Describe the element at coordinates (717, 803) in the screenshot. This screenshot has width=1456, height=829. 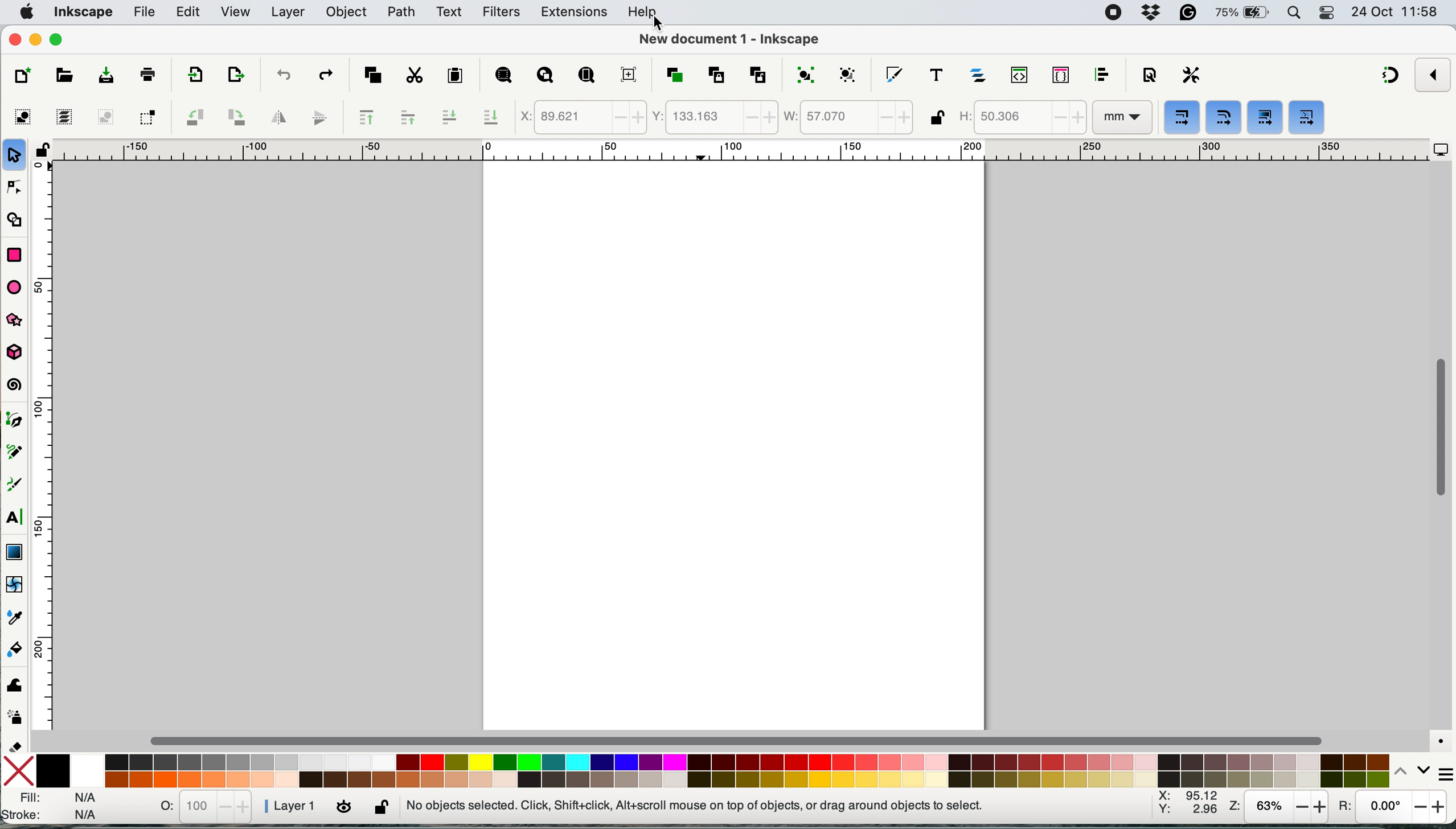
I see `No objects selected. Click, Shift+click, Alt+scroll mouse on top of objects, or drag around objects to select.` at that location.